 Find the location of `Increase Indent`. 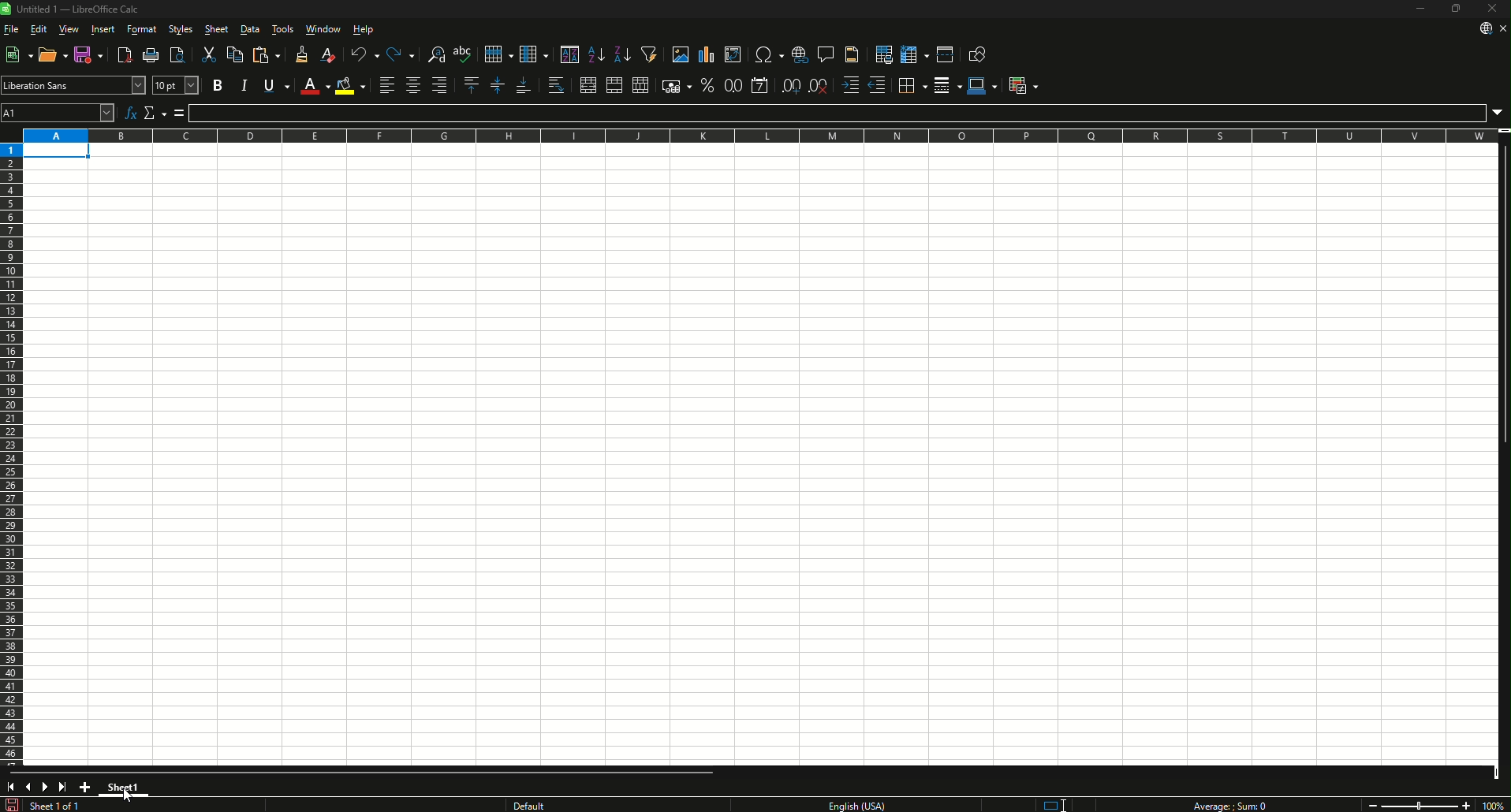

Increase Indent is located at coordinates (851, 85).